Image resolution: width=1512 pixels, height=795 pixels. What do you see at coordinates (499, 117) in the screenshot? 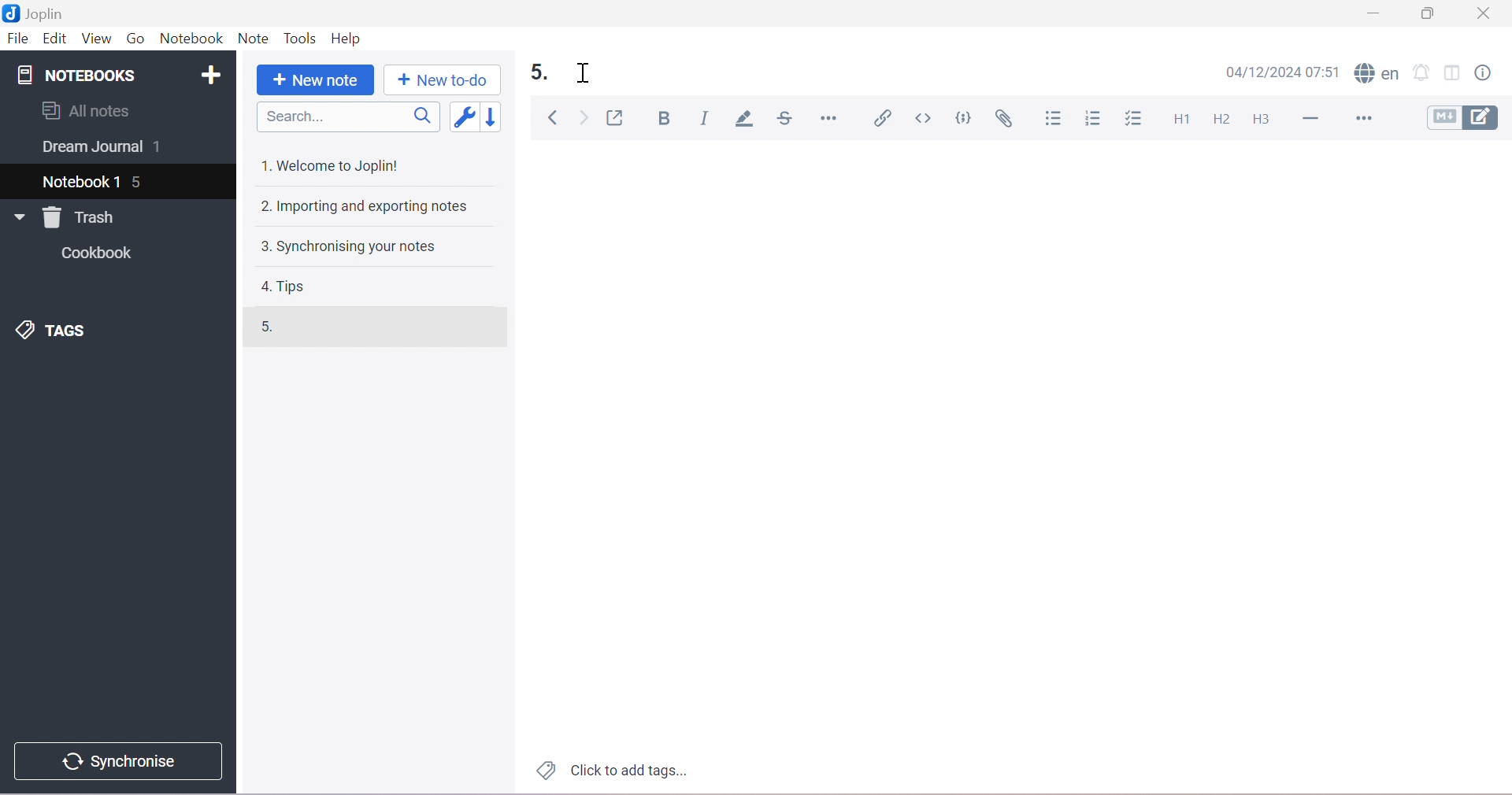
I see `Reverse sort order` at bounding box center [499, 117].